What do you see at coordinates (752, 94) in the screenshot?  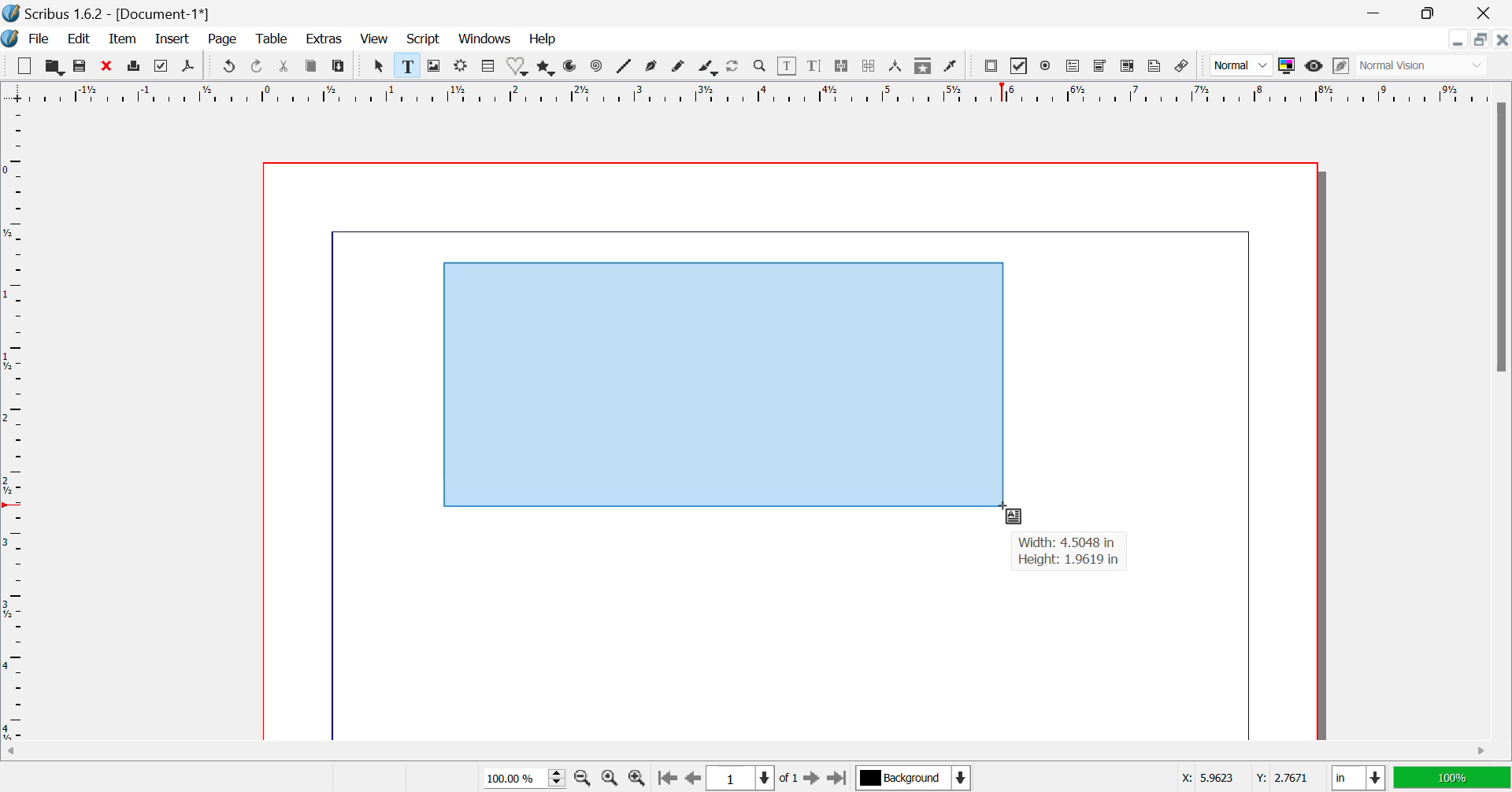 I see `Vertical Page Margins` at bounding box center [752, 94].